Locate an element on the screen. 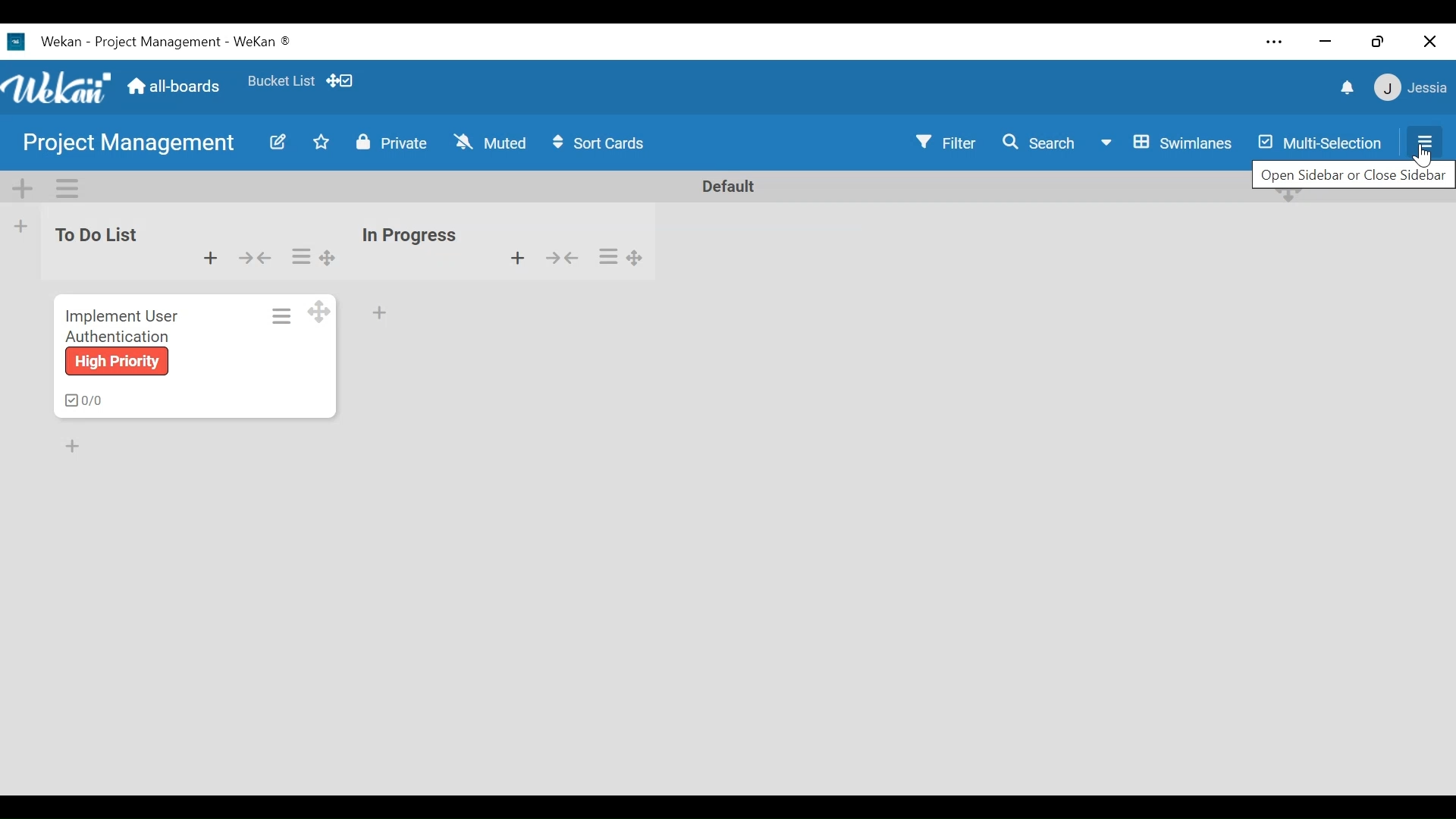 This screenshot has width=1456, height=819. list Actions is located at coordinates (609, 255).